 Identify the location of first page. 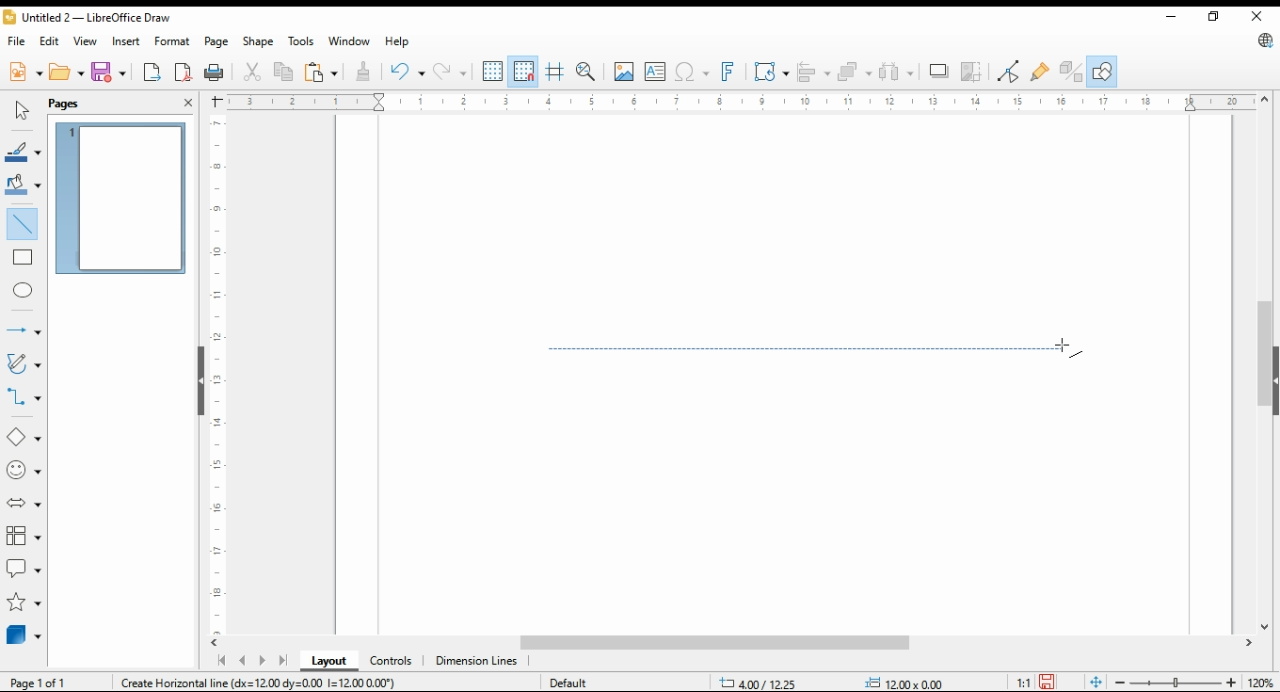
(220, 661).